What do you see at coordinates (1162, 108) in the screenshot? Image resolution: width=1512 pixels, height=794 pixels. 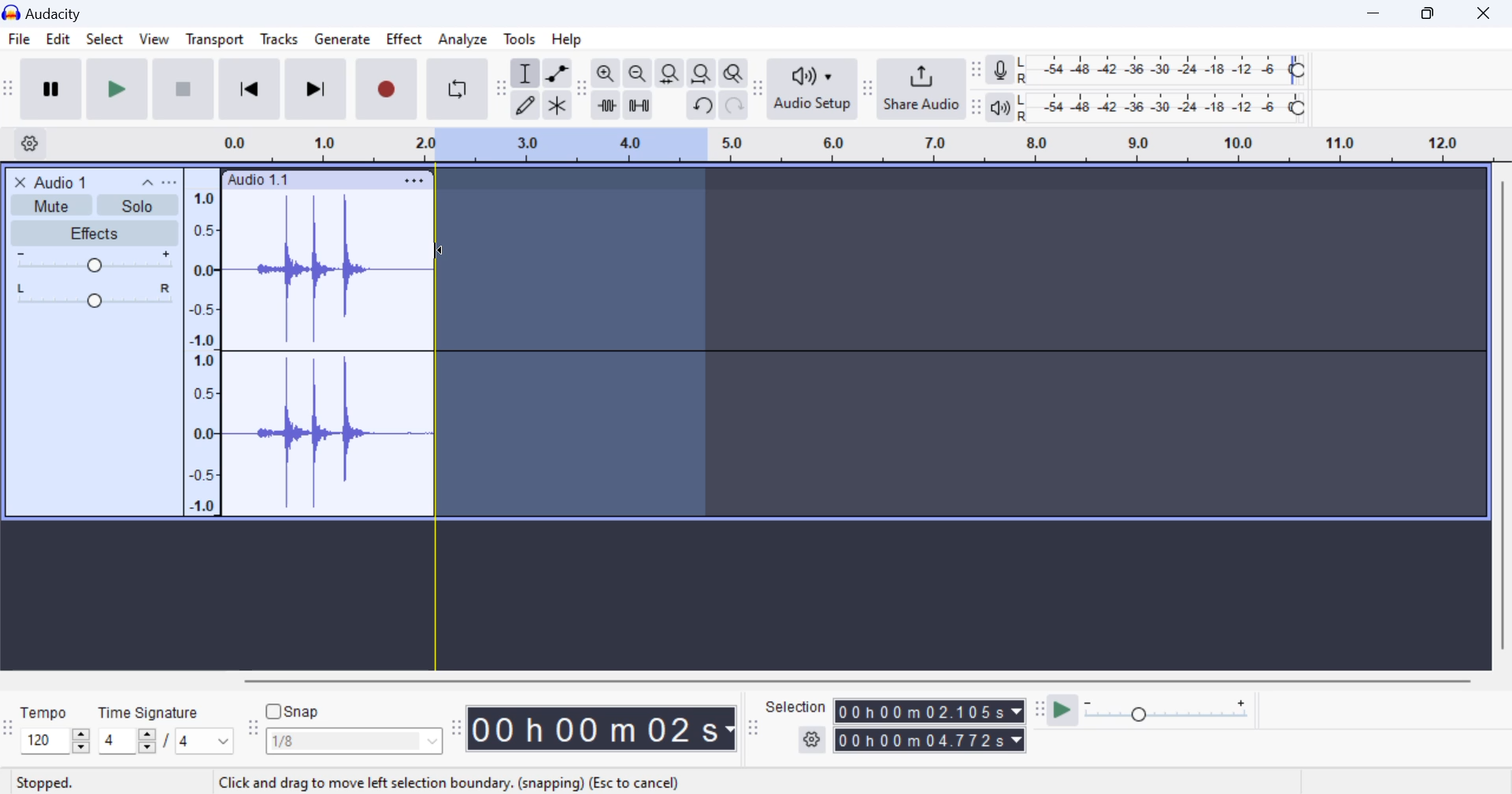 I see `Playback Level` at bounding box center [1162, 108].